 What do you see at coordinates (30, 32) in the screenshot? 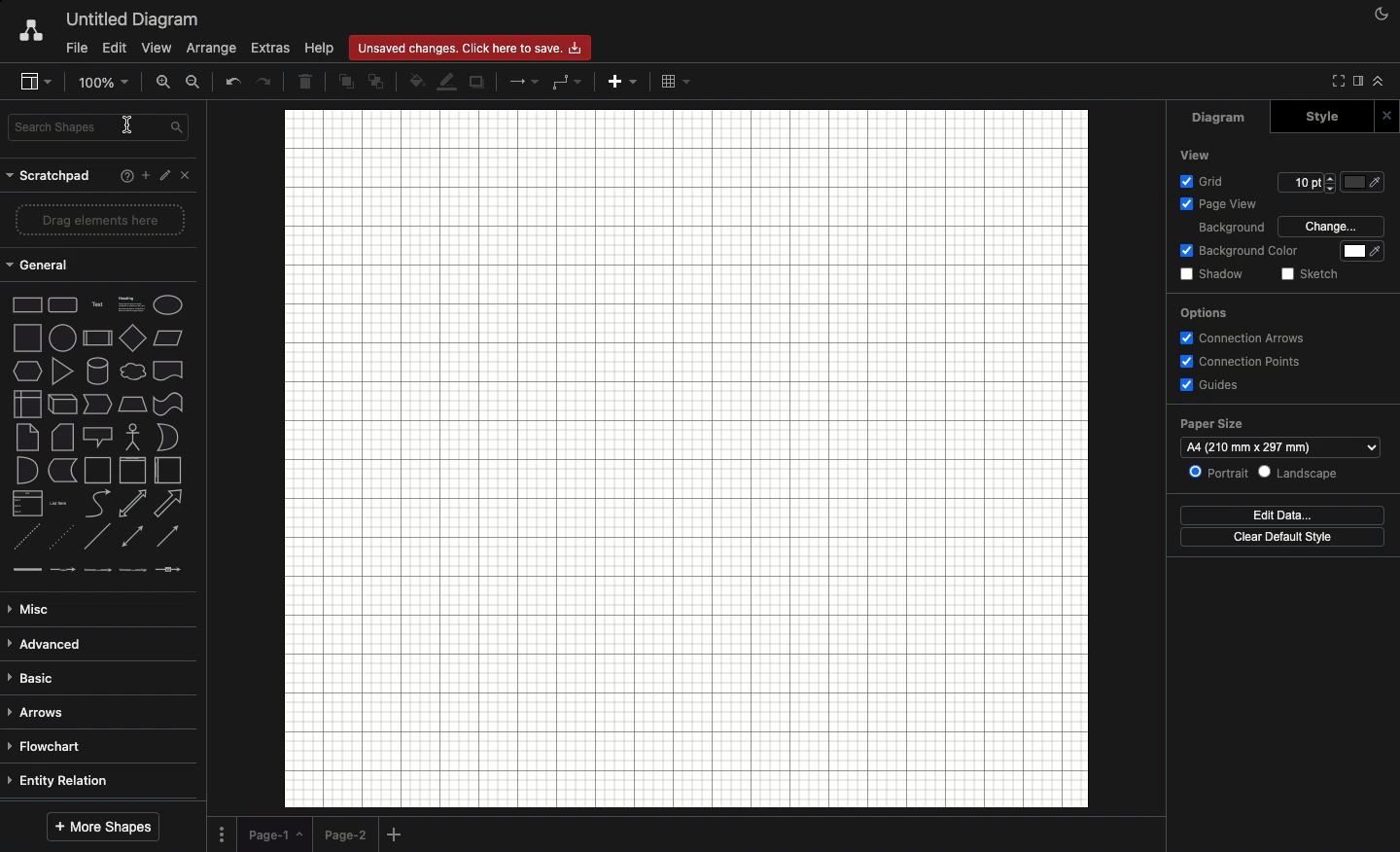
I see `Draw.io` at bounding box center [30, 32].